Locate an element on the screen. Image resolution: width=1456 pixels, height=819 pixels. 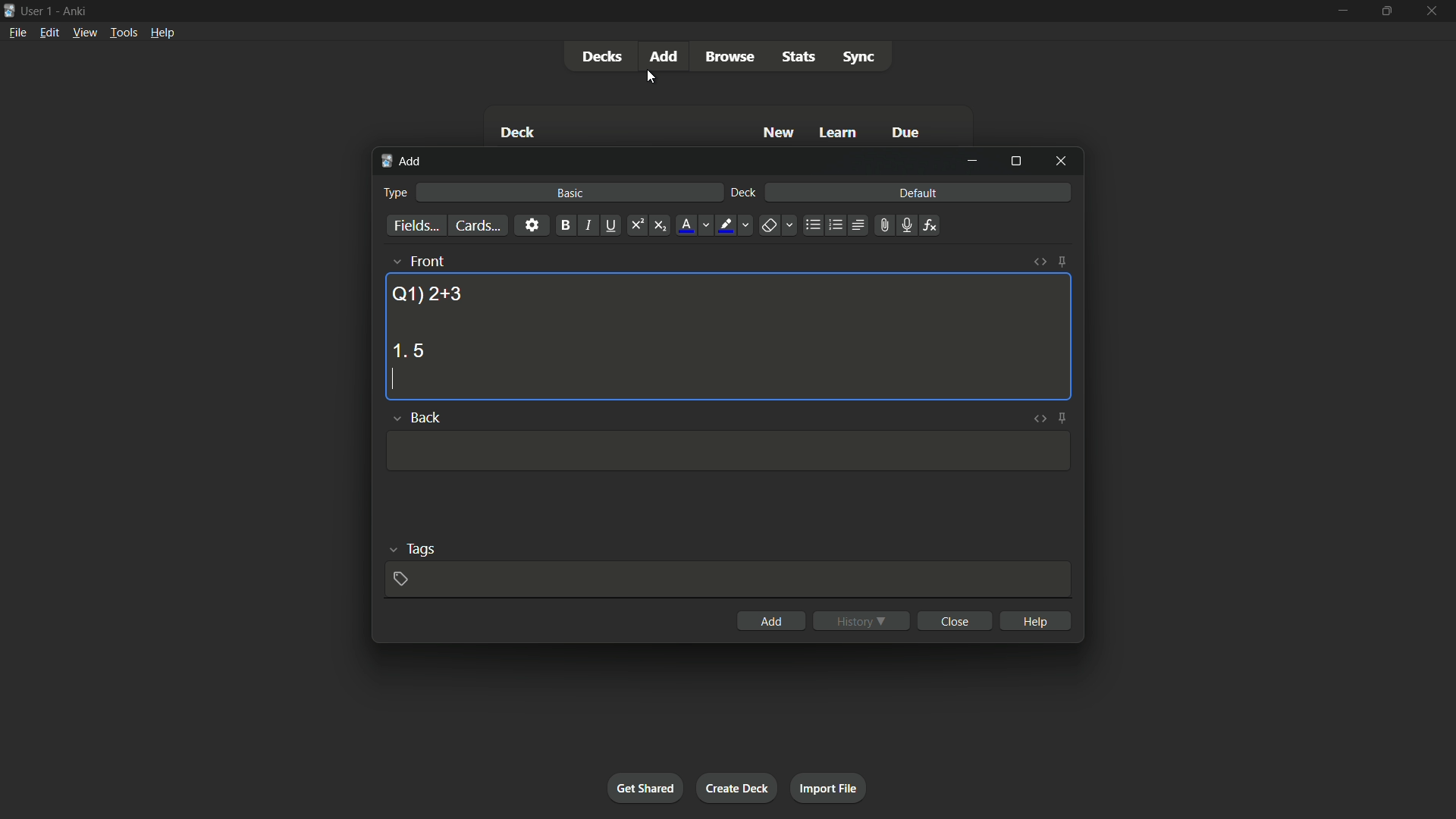
add is located at coordinates (667, 55).